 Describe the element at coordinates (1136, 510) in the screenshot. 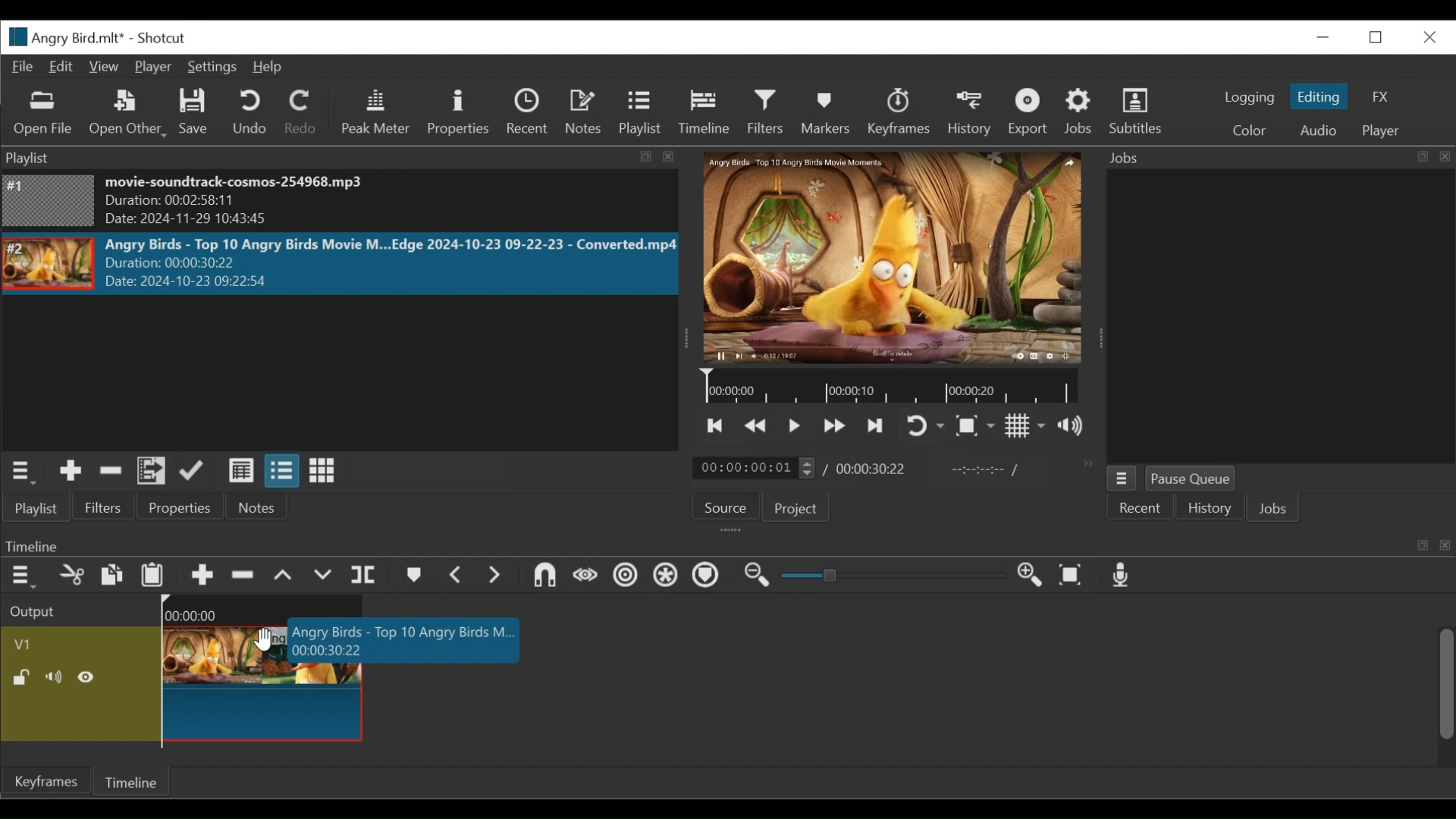

I see `Recent` at that location.